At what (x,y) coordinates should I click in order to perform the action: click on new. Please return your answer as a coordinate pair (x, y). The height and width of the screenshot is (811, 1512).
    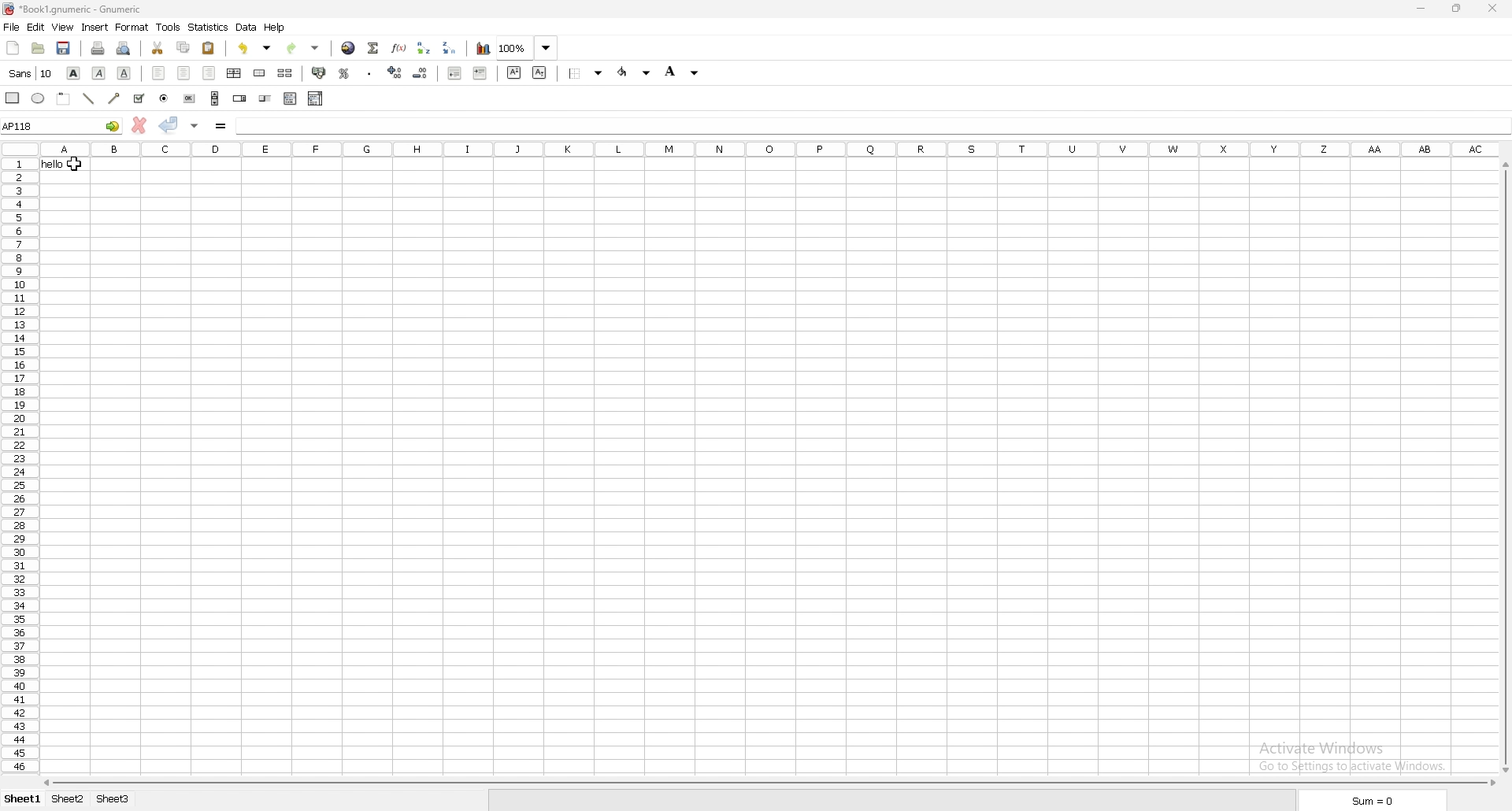
    Looking at the image, I should click on (13, 46).